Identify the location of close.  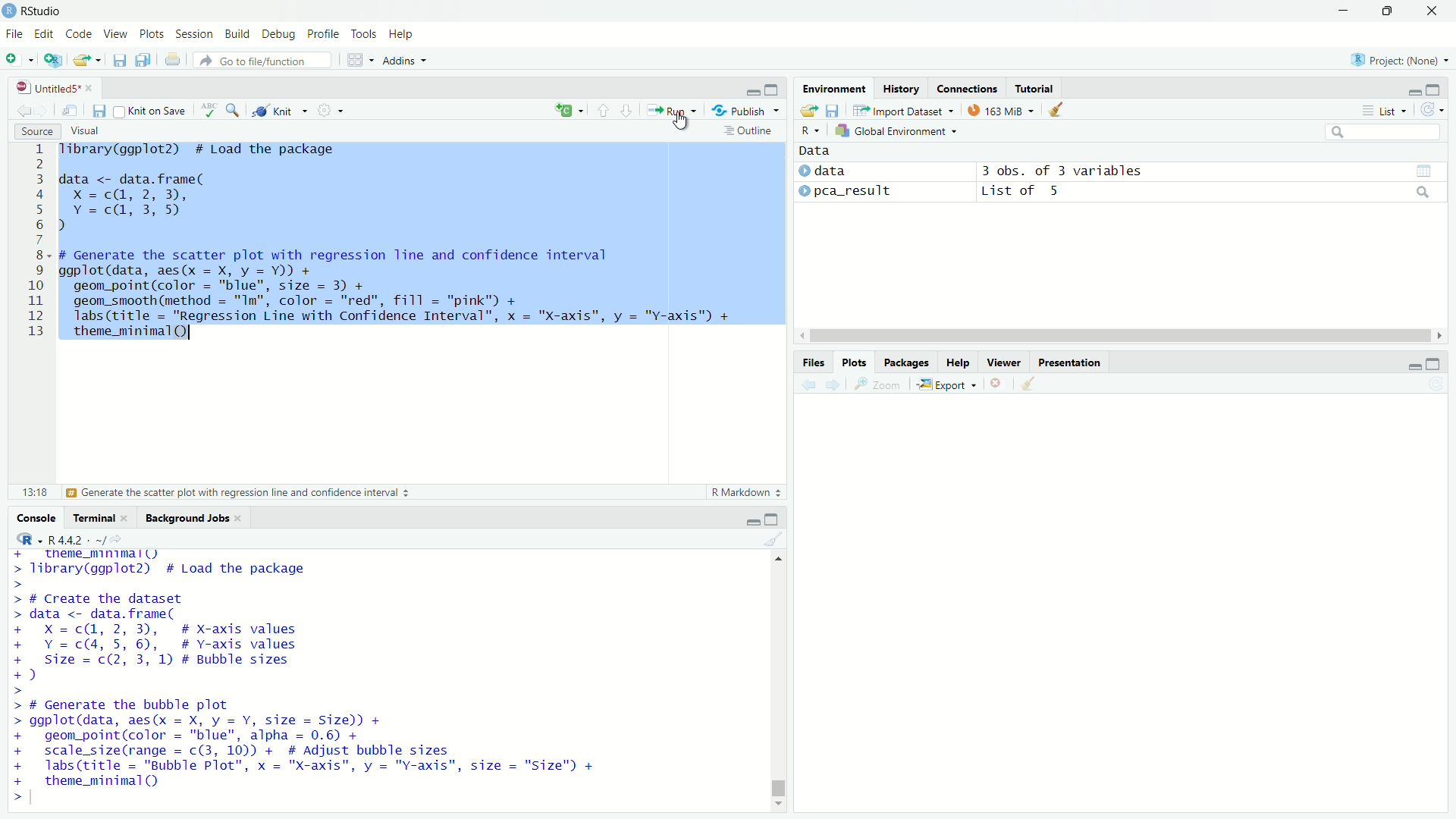
(93, 88).